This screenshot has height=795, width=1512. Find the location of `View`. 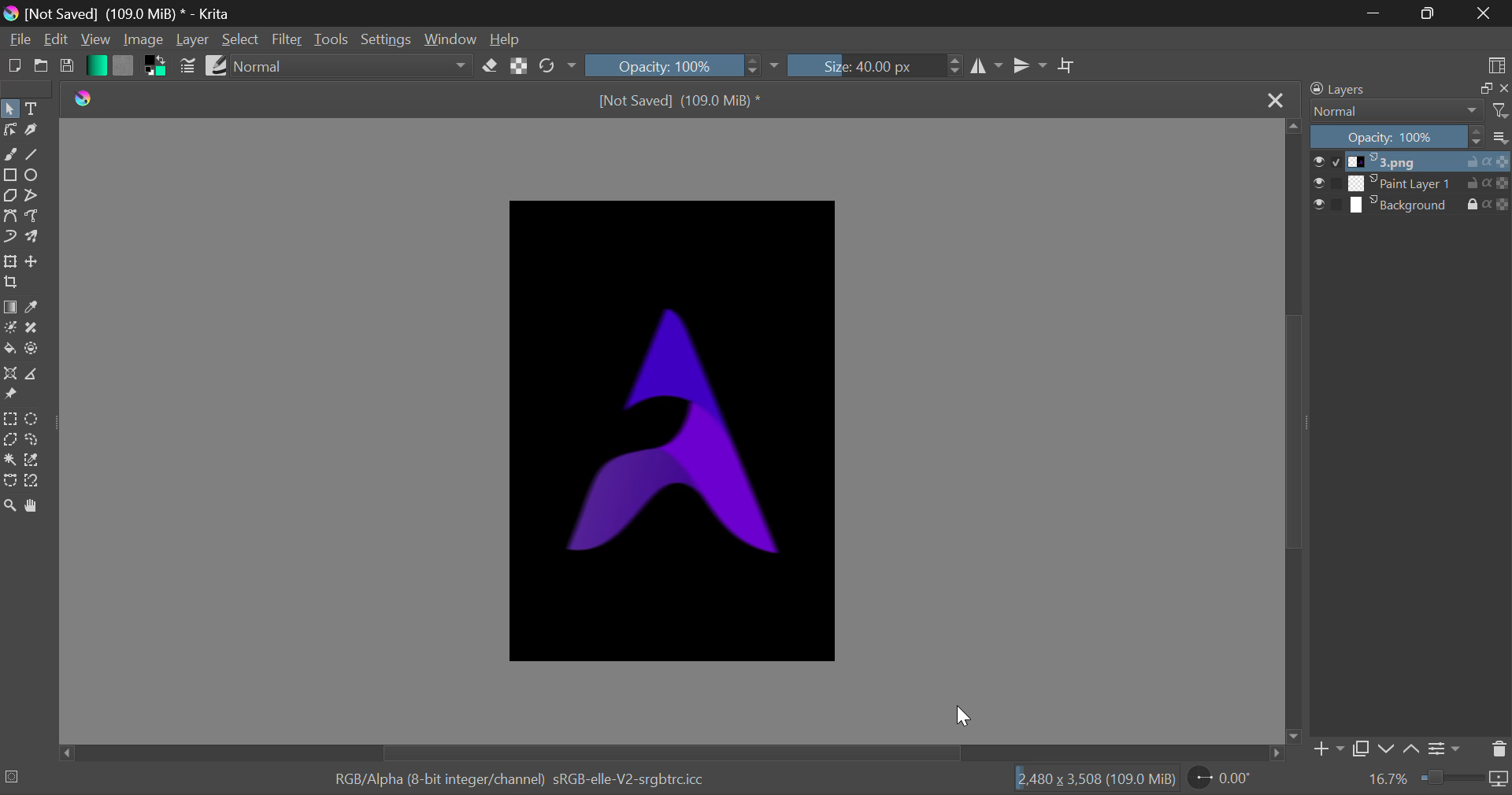

View is located at coordinates (94, 39).